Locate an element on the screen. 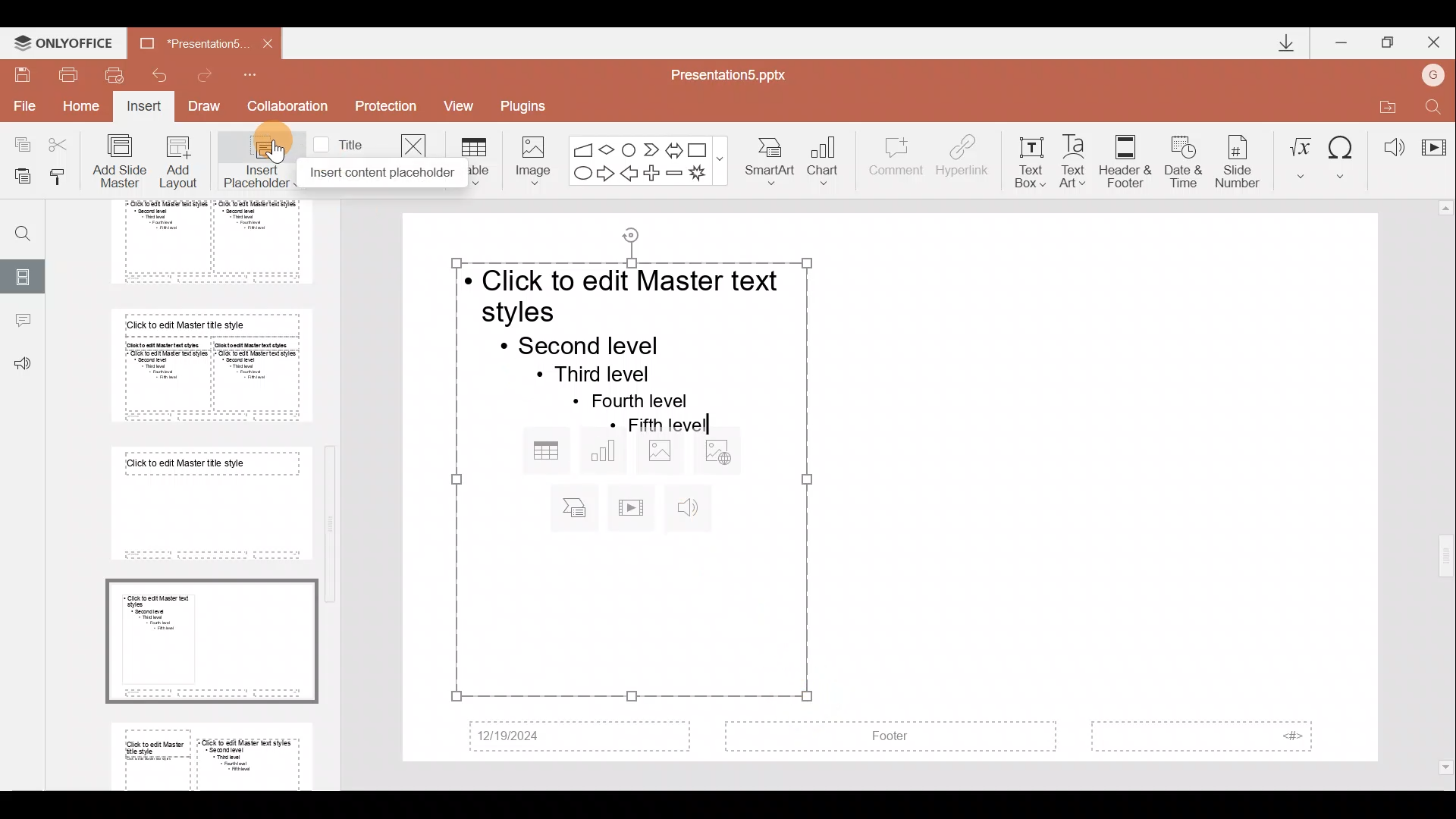 Image resolution: width=1456 pixels, height=819 pixels. Save is located at coordinates (23, 73).